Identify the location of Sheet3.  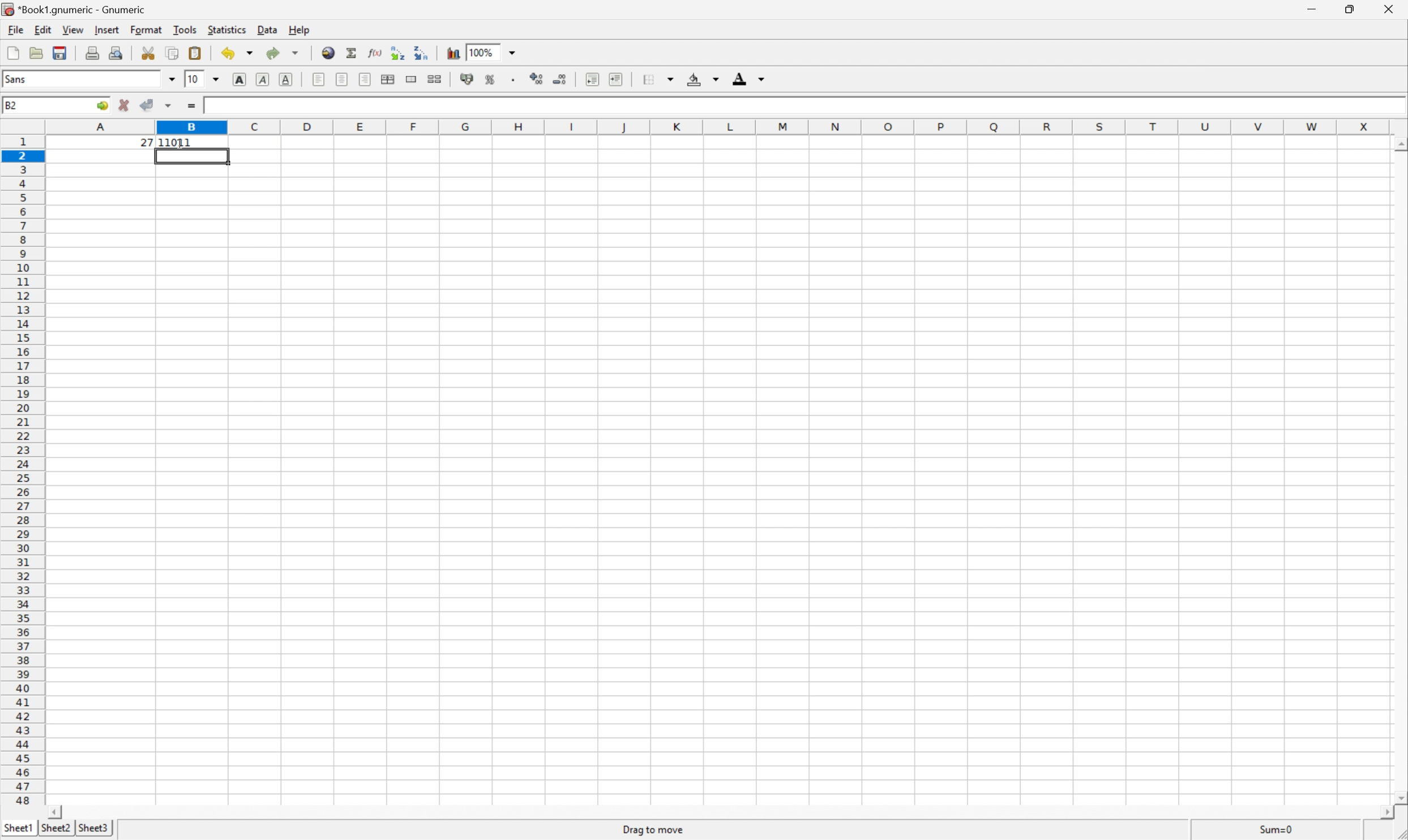
(92, 829).